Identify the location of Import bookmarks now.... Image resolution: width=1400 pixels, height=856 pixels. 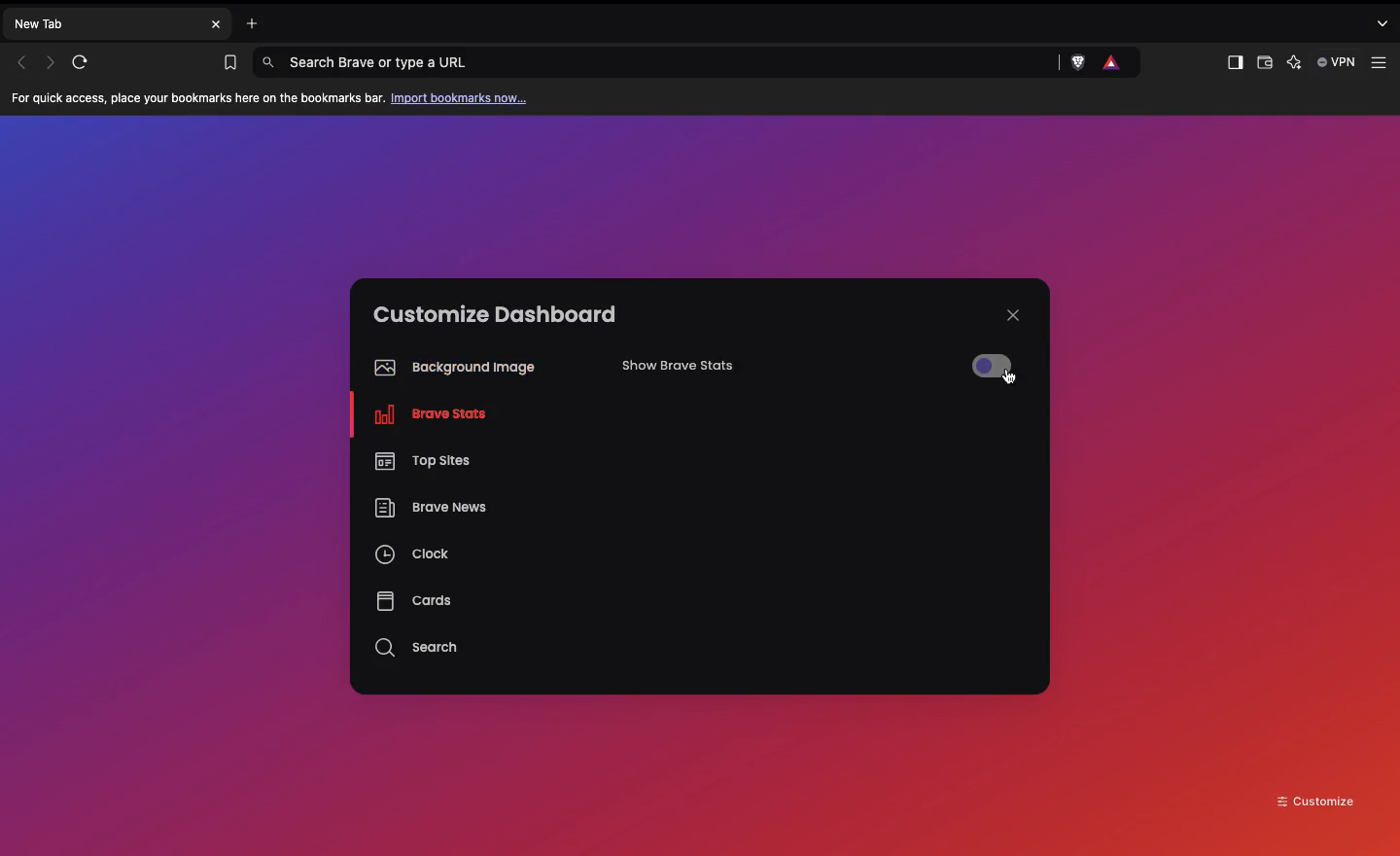
(463, 97).